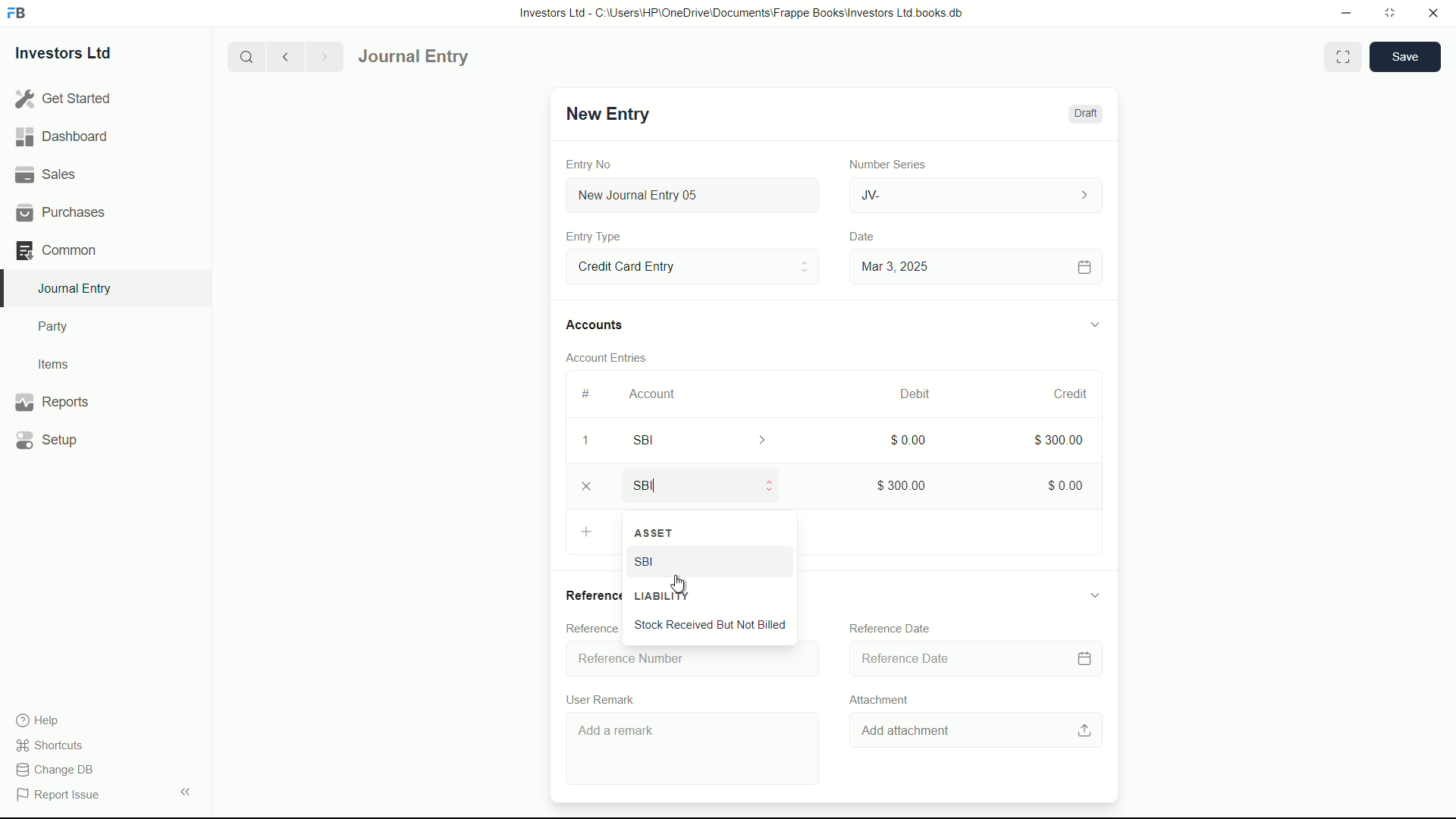 The height and width of the screenshot is (819, 1456). Describe the element at coordinates (598, 325) in the screenshot. I see `Accounts` at that location.